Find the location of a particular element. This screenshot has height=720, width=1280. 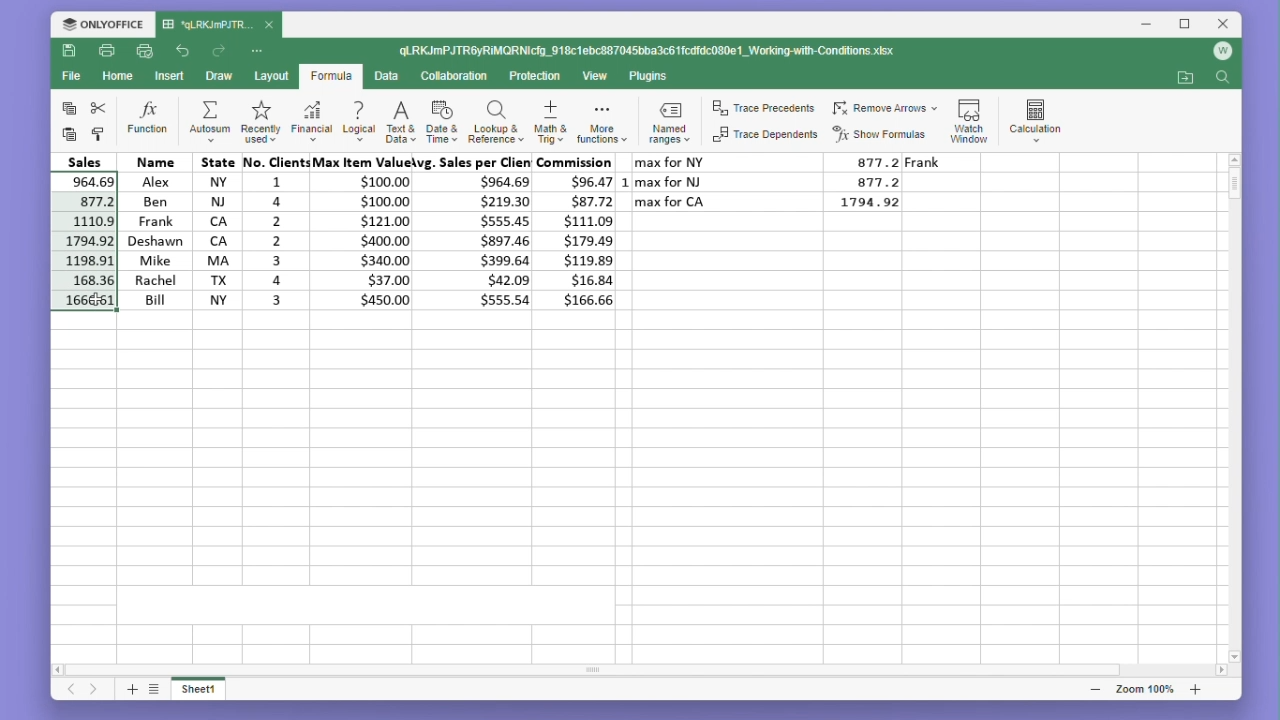

scroll up is located at coordinates (1234, 159).